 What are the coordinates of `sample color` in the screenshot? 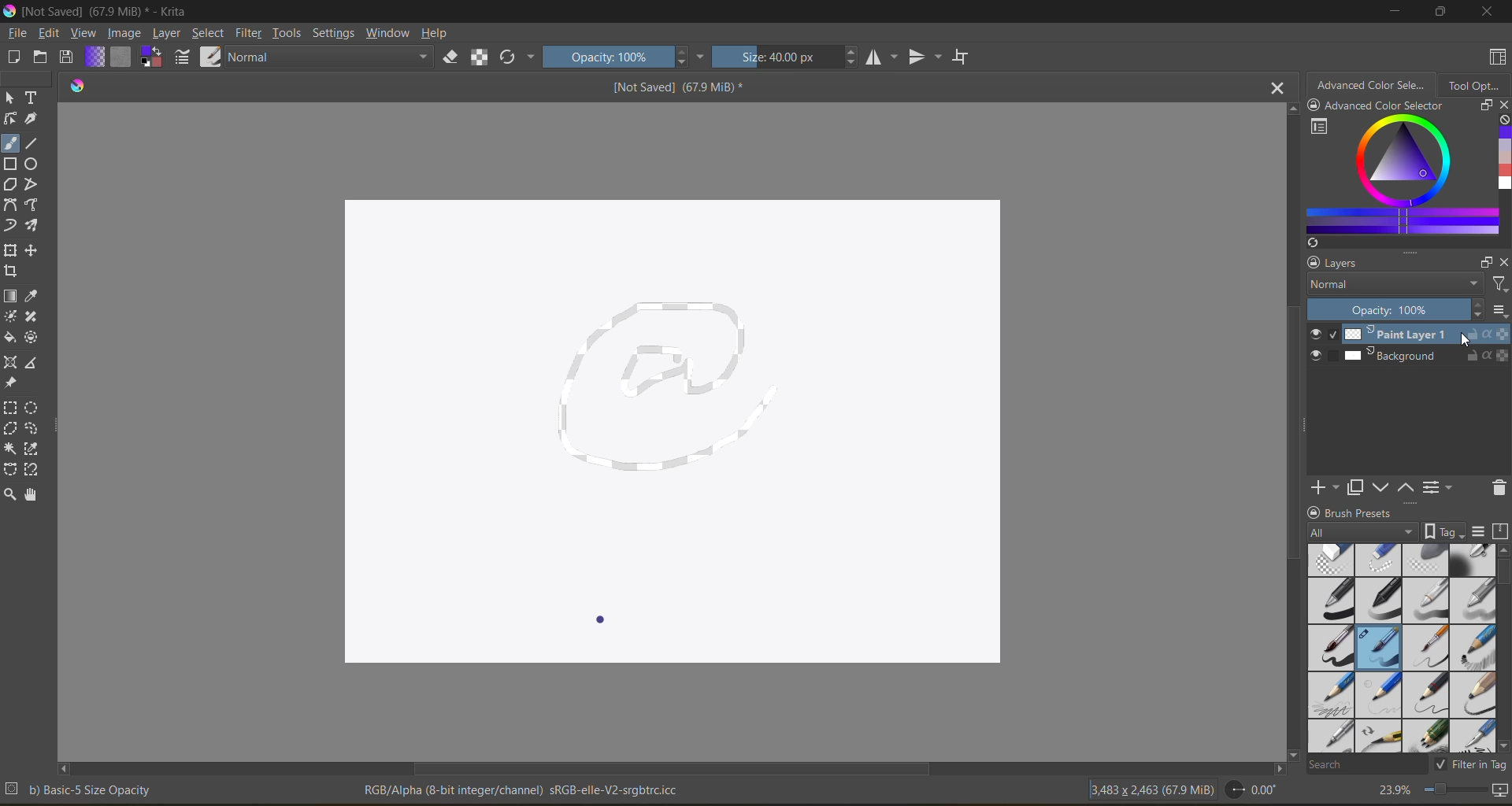 It's located at (33, 295).